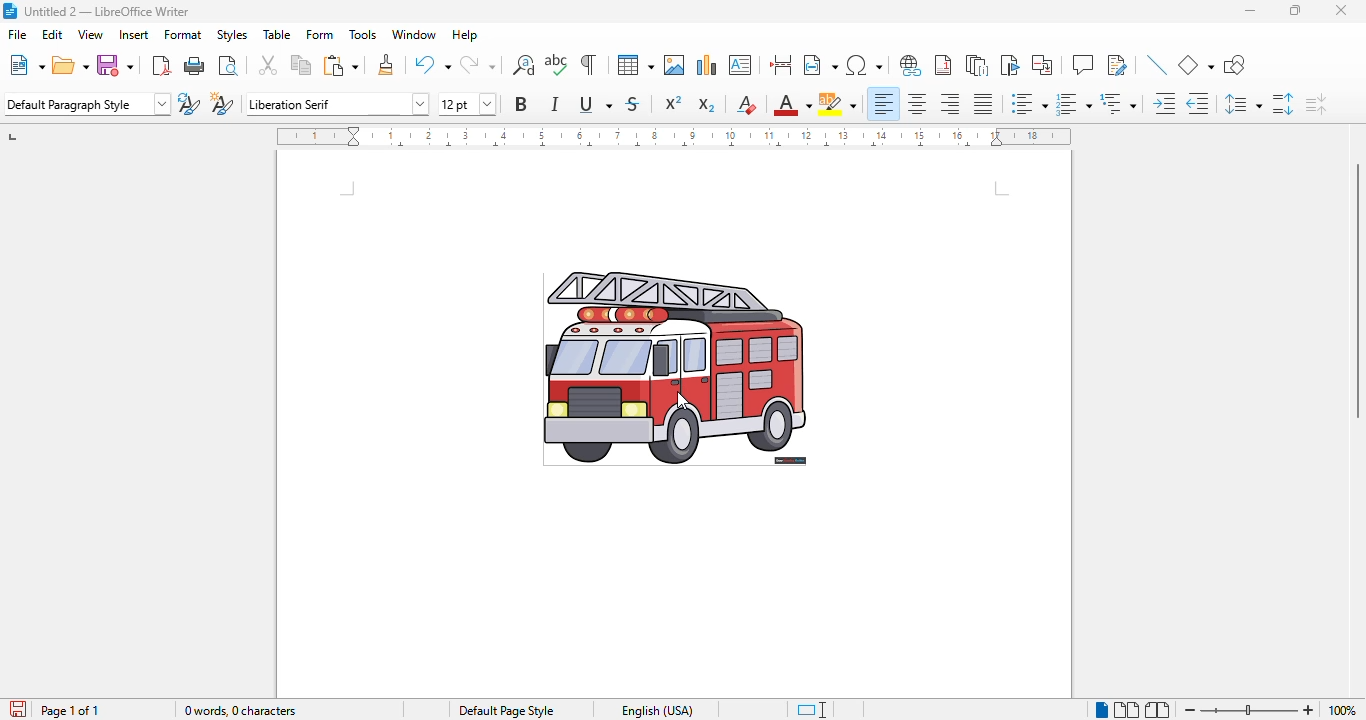  What do you see at coordinates (1156, 64) in the screenshot?
I see `insert line` at bounding box center [1156, 64].